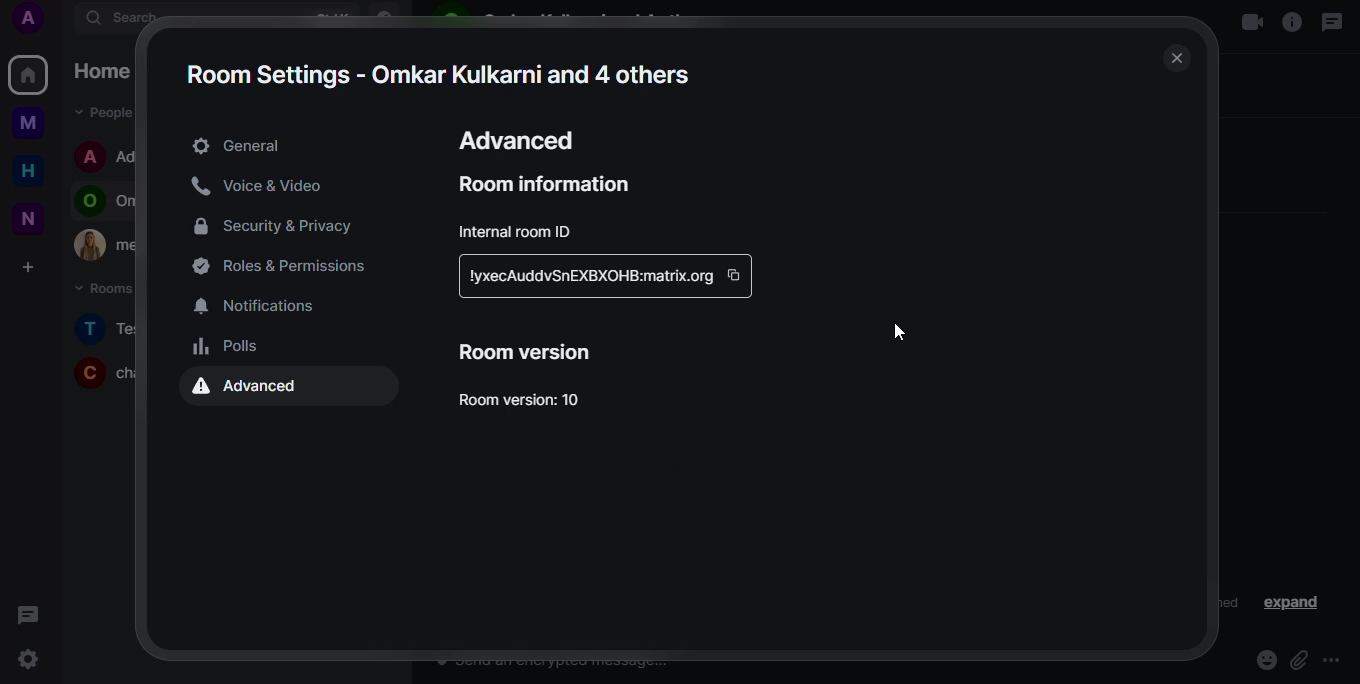 The image size is (1360, 684). I want to click on info, so click(1292, 20).